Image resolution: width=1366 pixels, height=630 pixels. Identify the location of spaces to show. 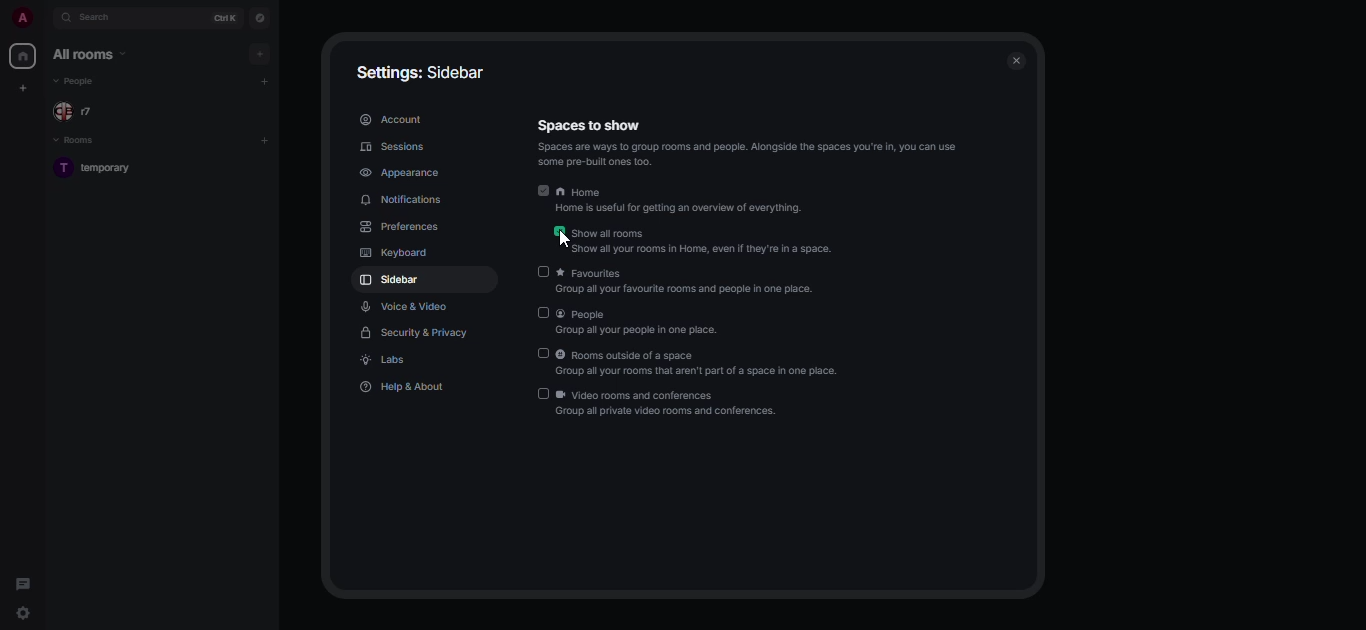
(588, 124).